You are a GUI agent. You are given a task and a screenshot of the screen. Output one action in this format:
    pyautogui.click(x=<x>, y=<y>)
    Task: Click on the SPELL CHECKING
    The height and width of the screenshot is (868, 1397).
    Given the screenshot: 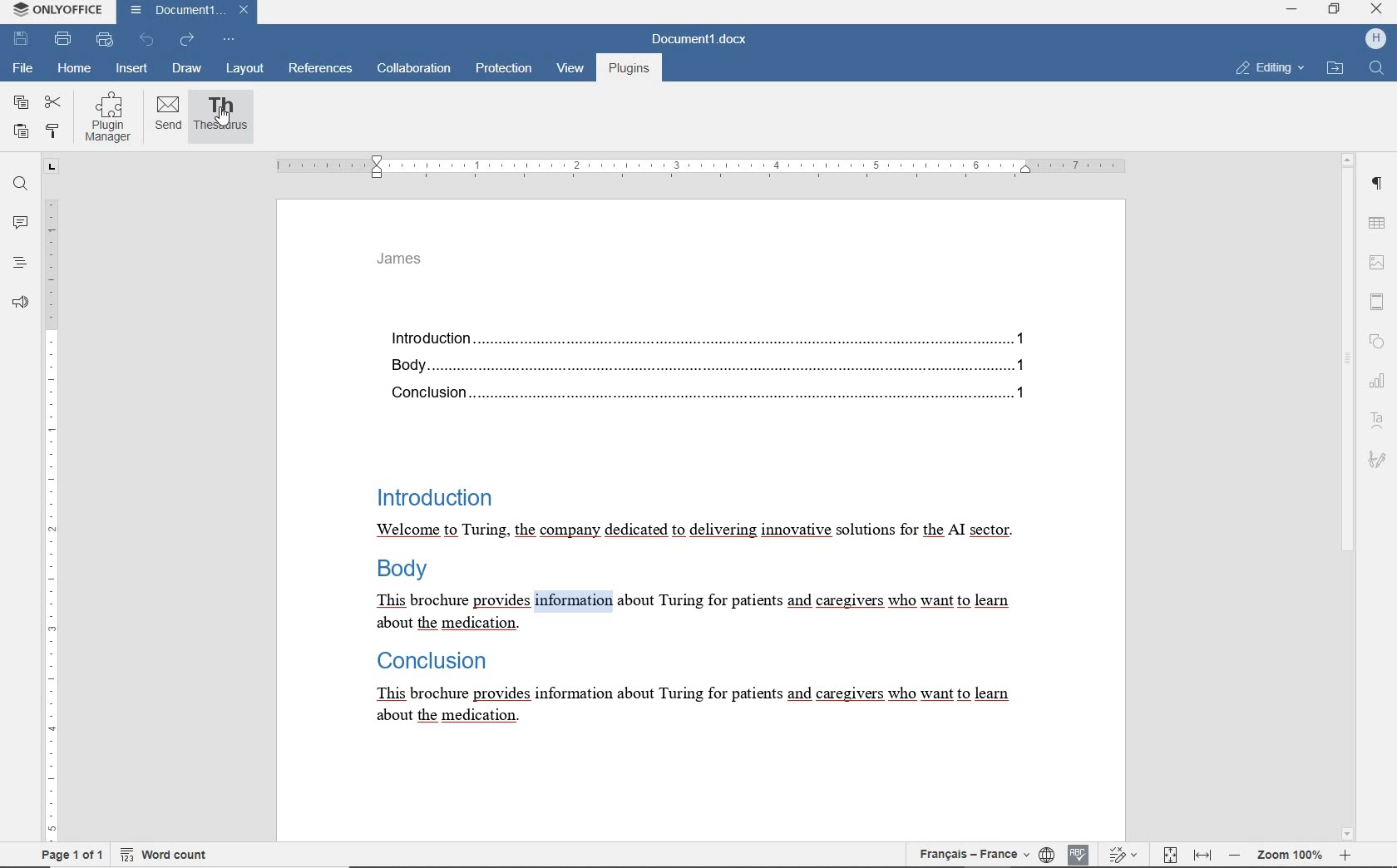 What is the action you would take?
    pyautogui.click(x=1079, y=854)
    